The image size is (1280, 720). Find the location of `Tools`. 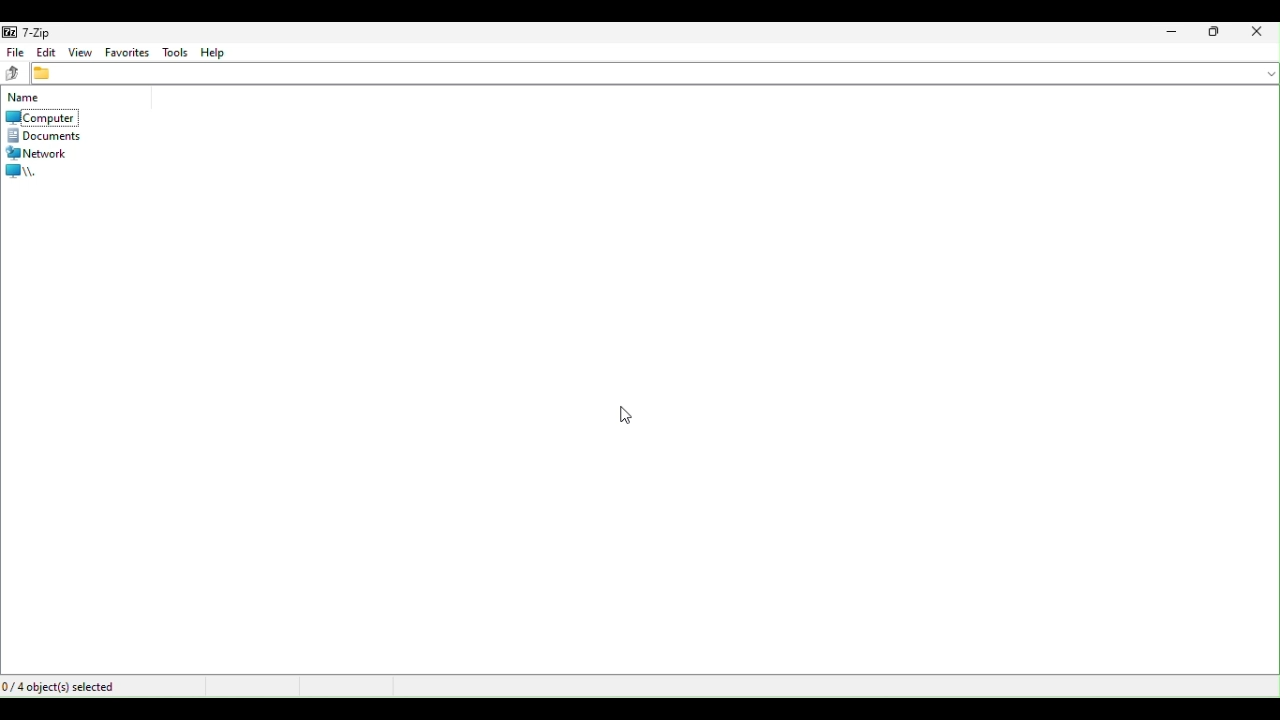

Tools is located at coordinates (175, 53).